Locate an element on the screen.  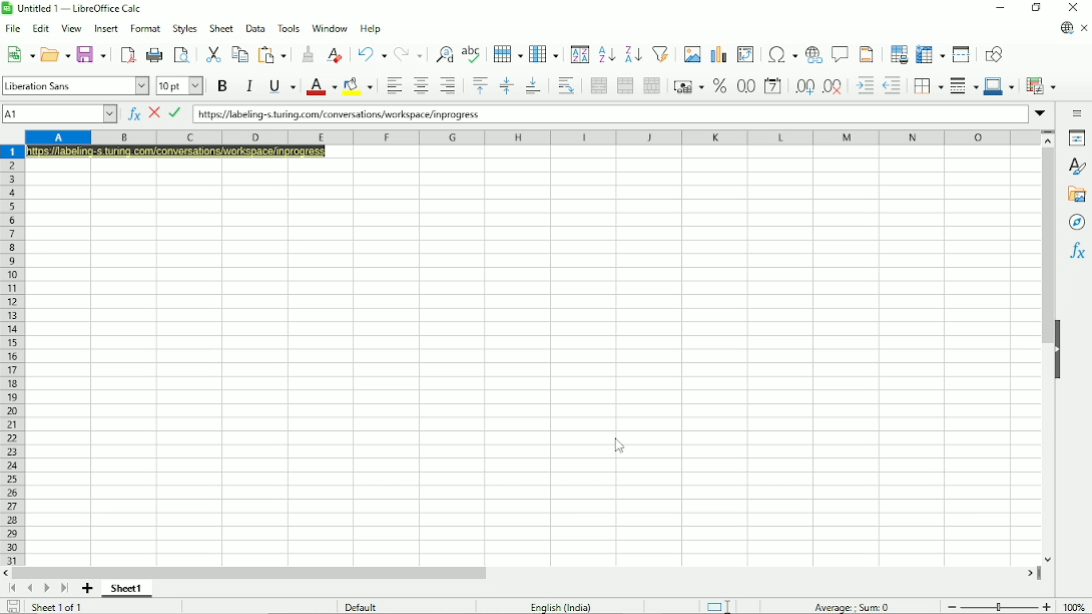
Properties is located at coordinates (1076, 138).